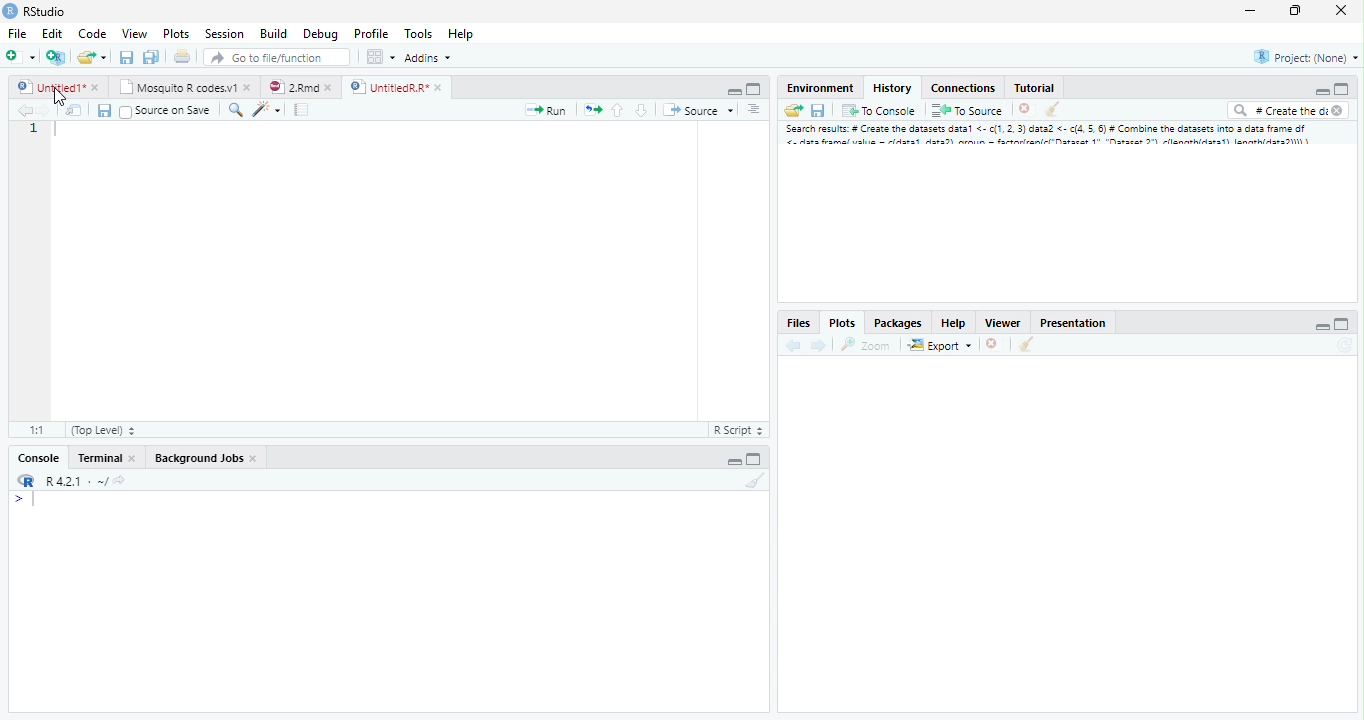 Image resolution: width=1364 pixels, height=720 pixels. Describe the element at coordinates (429, 59) in the screenshot. I see `Addins` at that location.